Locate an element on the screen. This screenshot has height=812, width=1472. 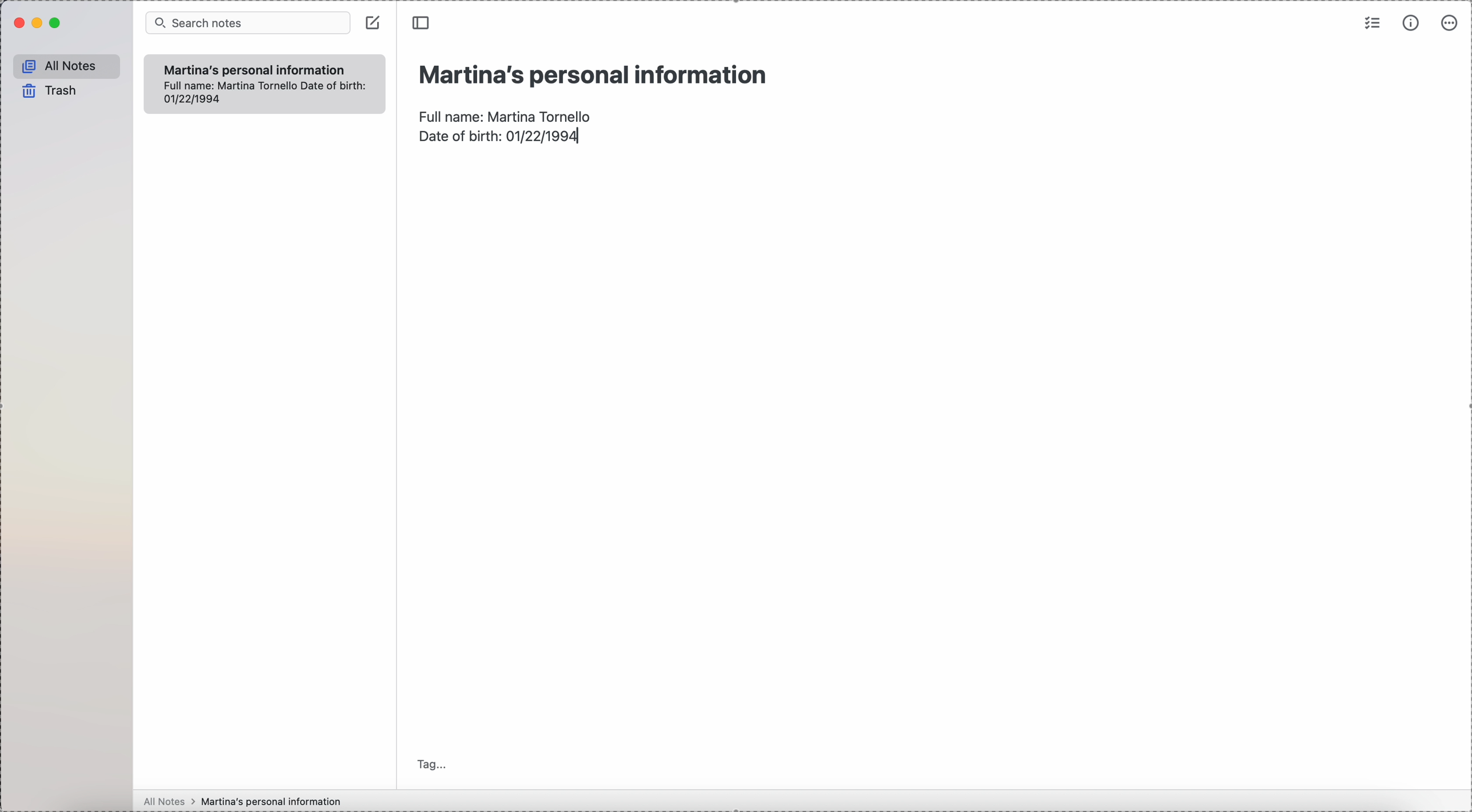
date of birth is located at coordinates (499, 137).